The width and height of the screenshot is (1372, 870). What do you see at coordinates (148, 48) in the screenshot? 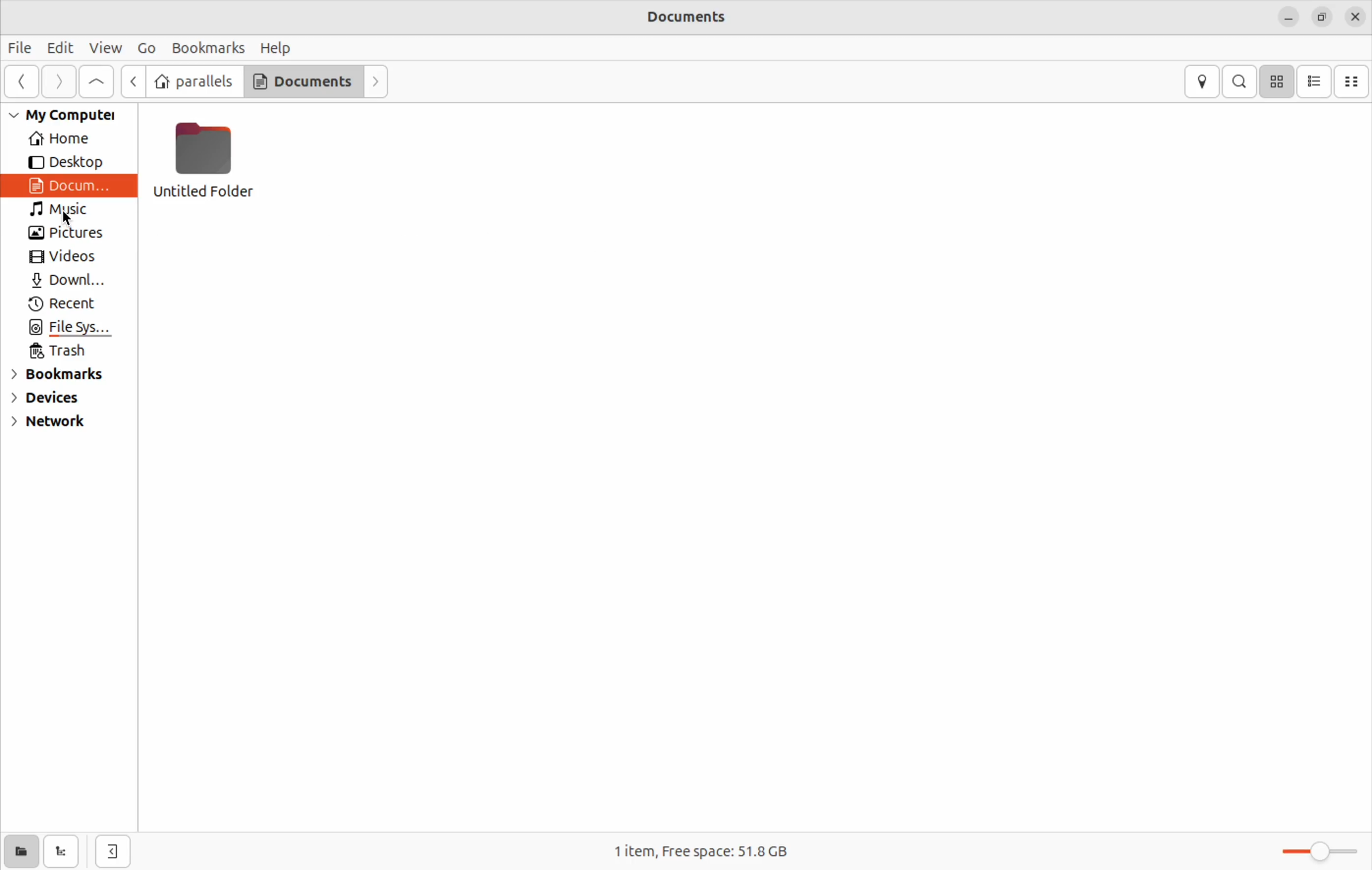
I see `Go` at bounding box center [148, 48].